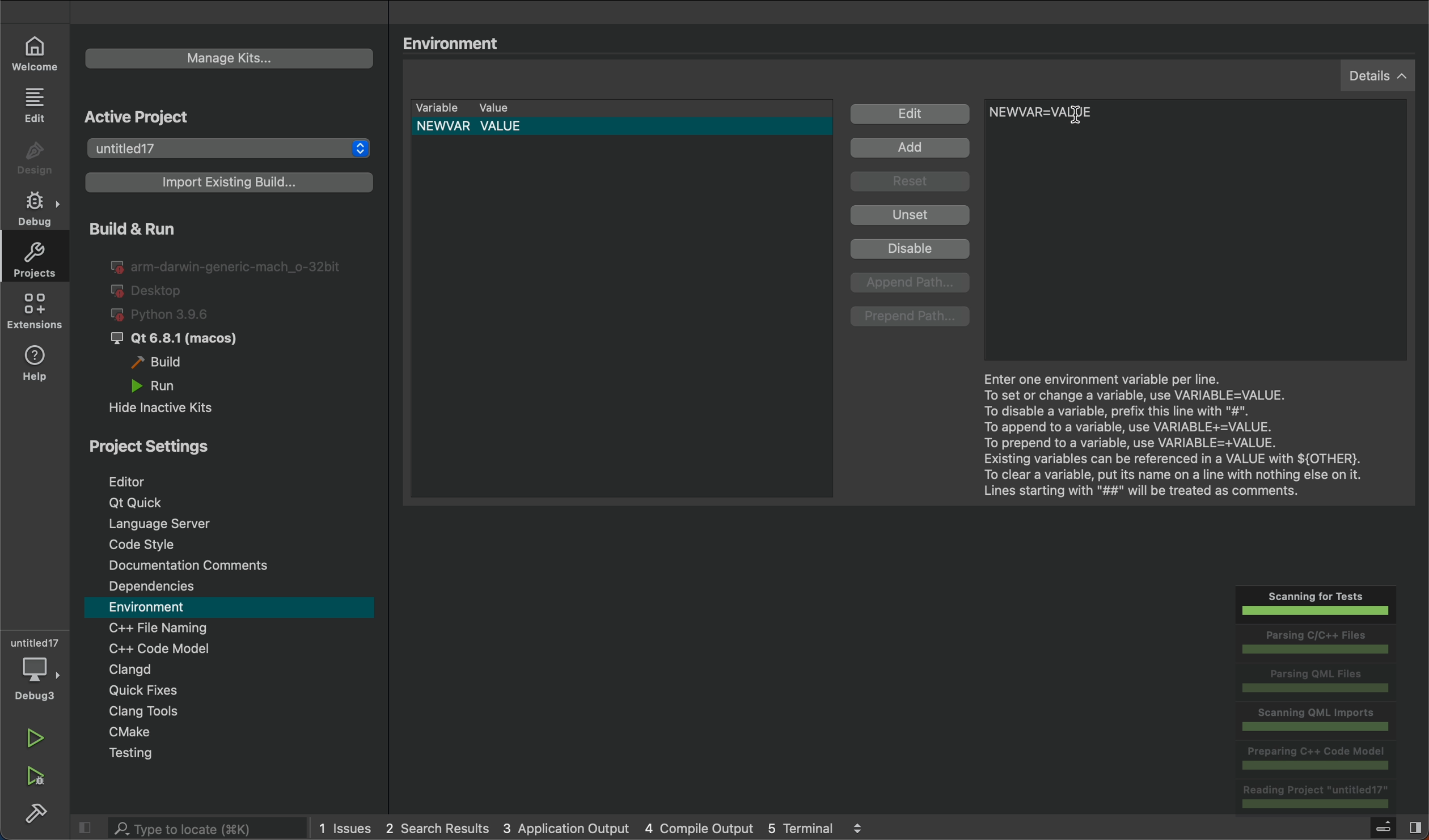  Describe the element at coordinates (914, 251) in the screenshot. I see `Disable` at that location.